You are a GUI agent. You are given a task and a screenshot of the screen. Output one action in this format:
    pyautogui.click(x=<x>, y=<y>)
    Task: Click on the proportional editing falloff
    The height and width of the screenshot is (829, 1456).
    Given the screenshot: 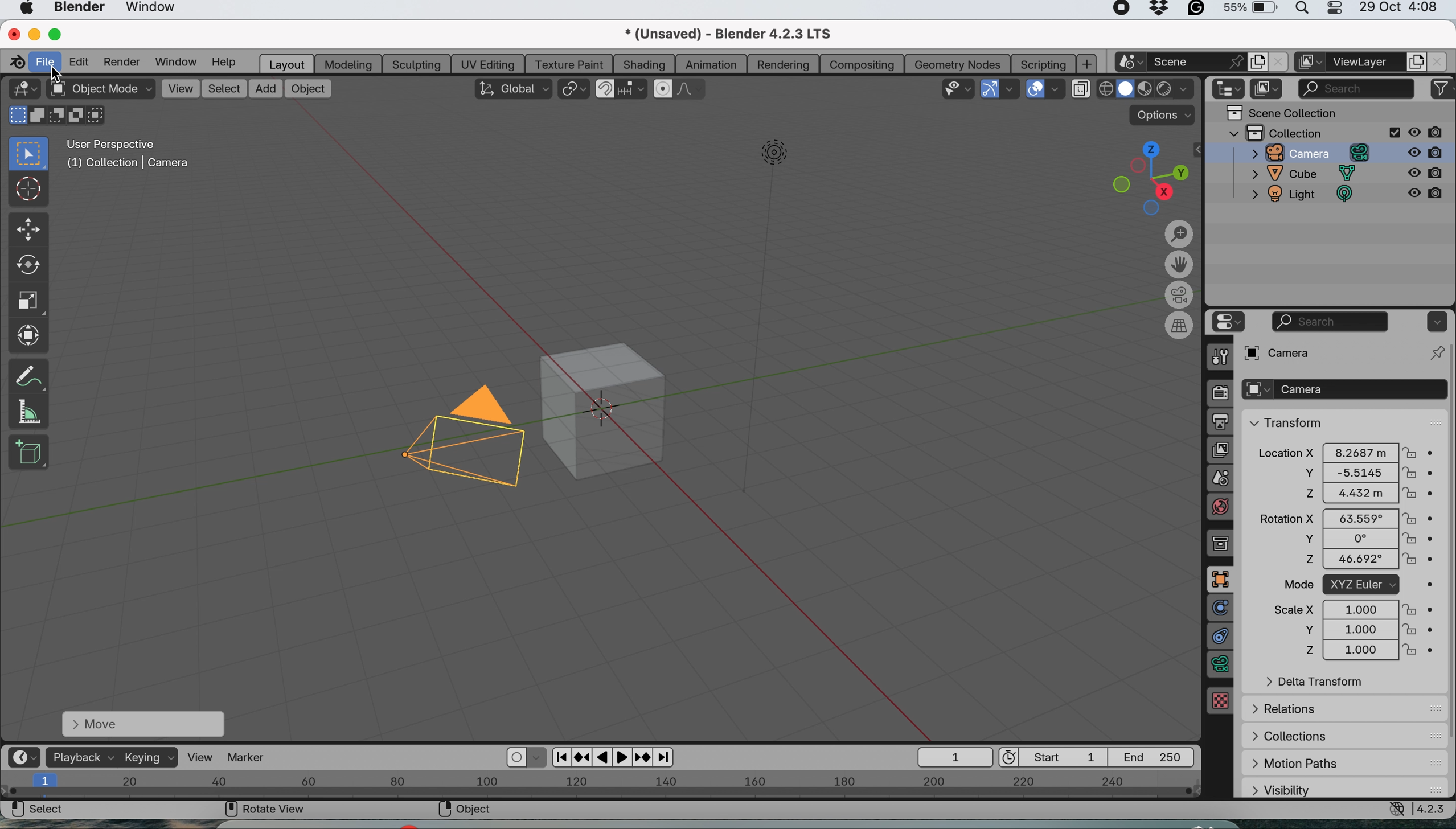 What is the action you would take?
    pyautogui.click(x=692, y=91)
    